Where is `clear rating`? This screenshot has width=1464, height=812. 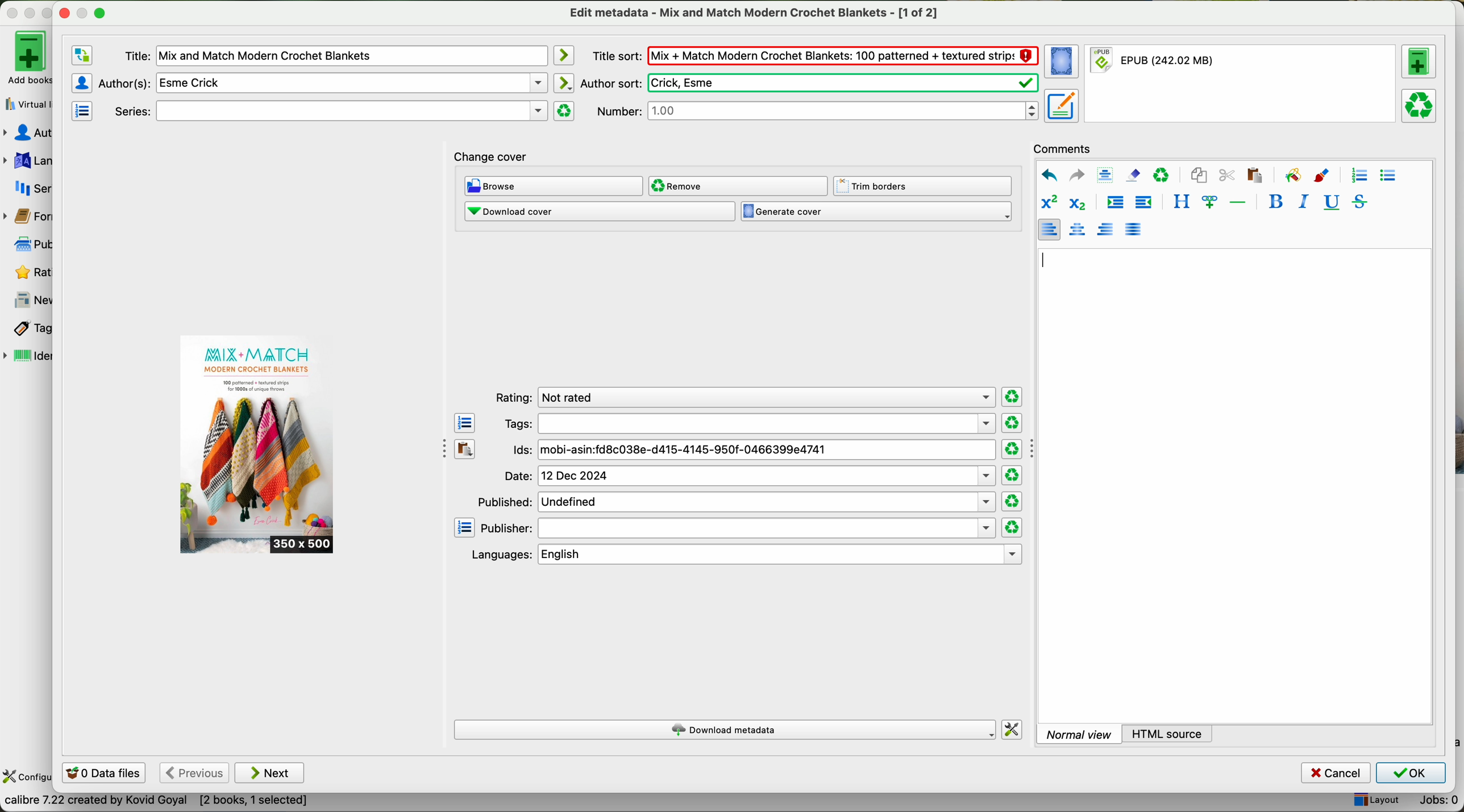 clear rating is located at coordinates (1012, 476).